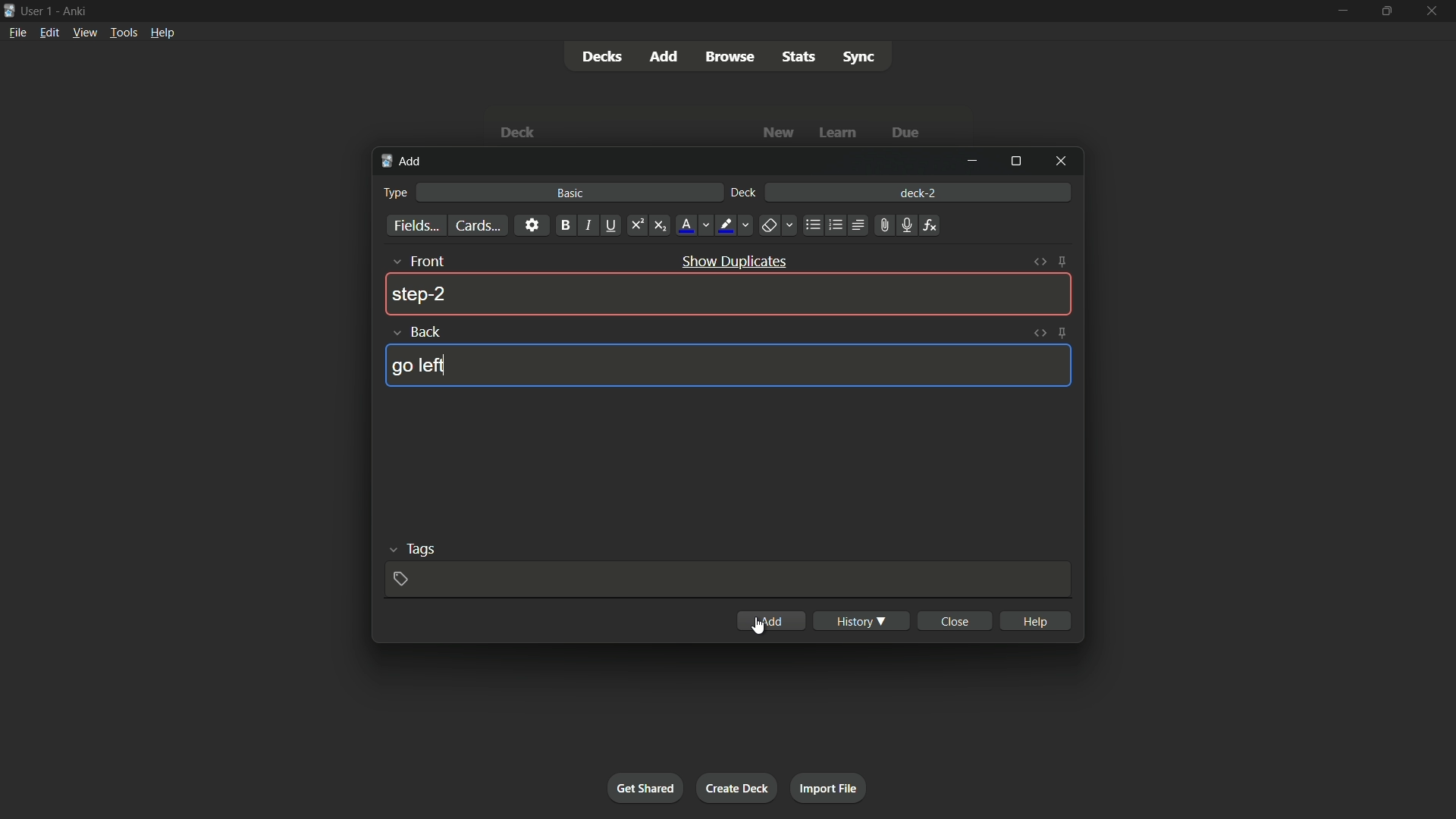 Image resolution: width=1456 pixels, height=819 pixels. Describe the element at coordinates (976, 162) in the screenshot. I see `minimize` at that location.